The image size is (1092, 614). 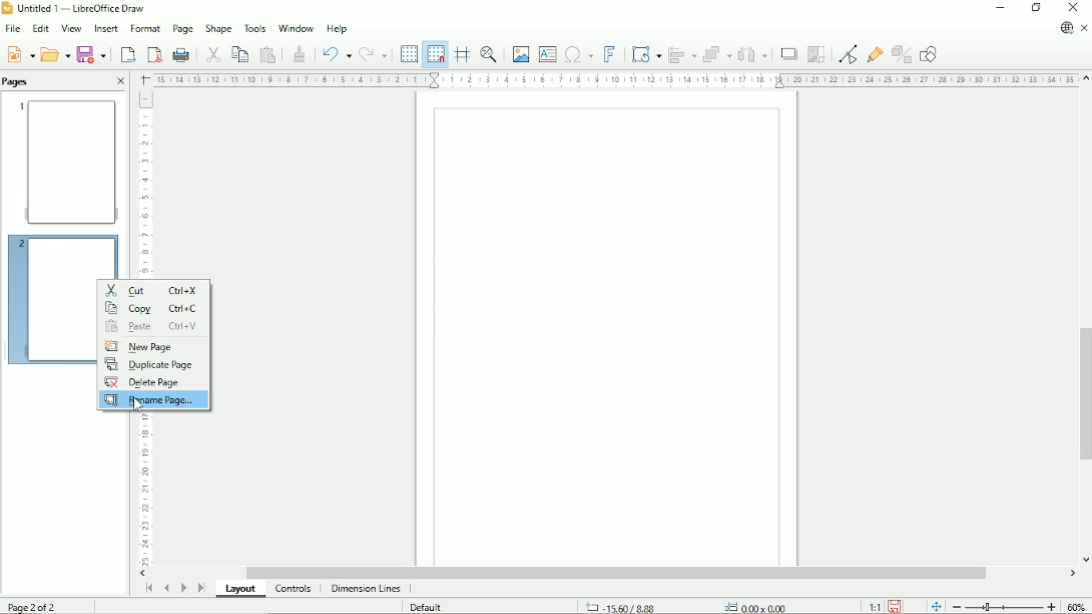 What do you see at coordinates (255, 27) in the screenshot?
I see `Tools` at bounding box center [255, 27].